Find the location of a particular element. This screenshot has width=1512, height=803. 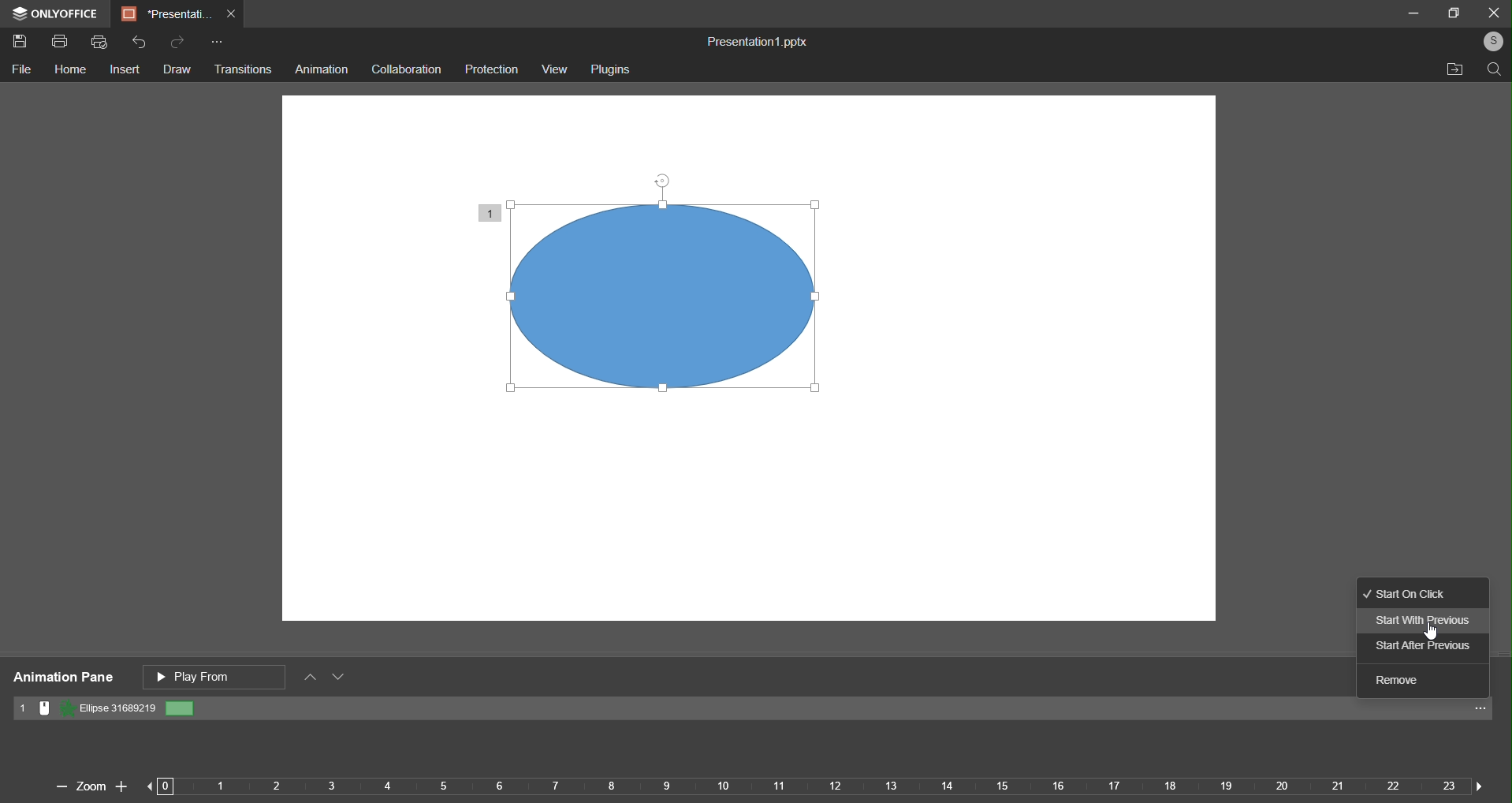

prediction is located at coordinates (492, 69).